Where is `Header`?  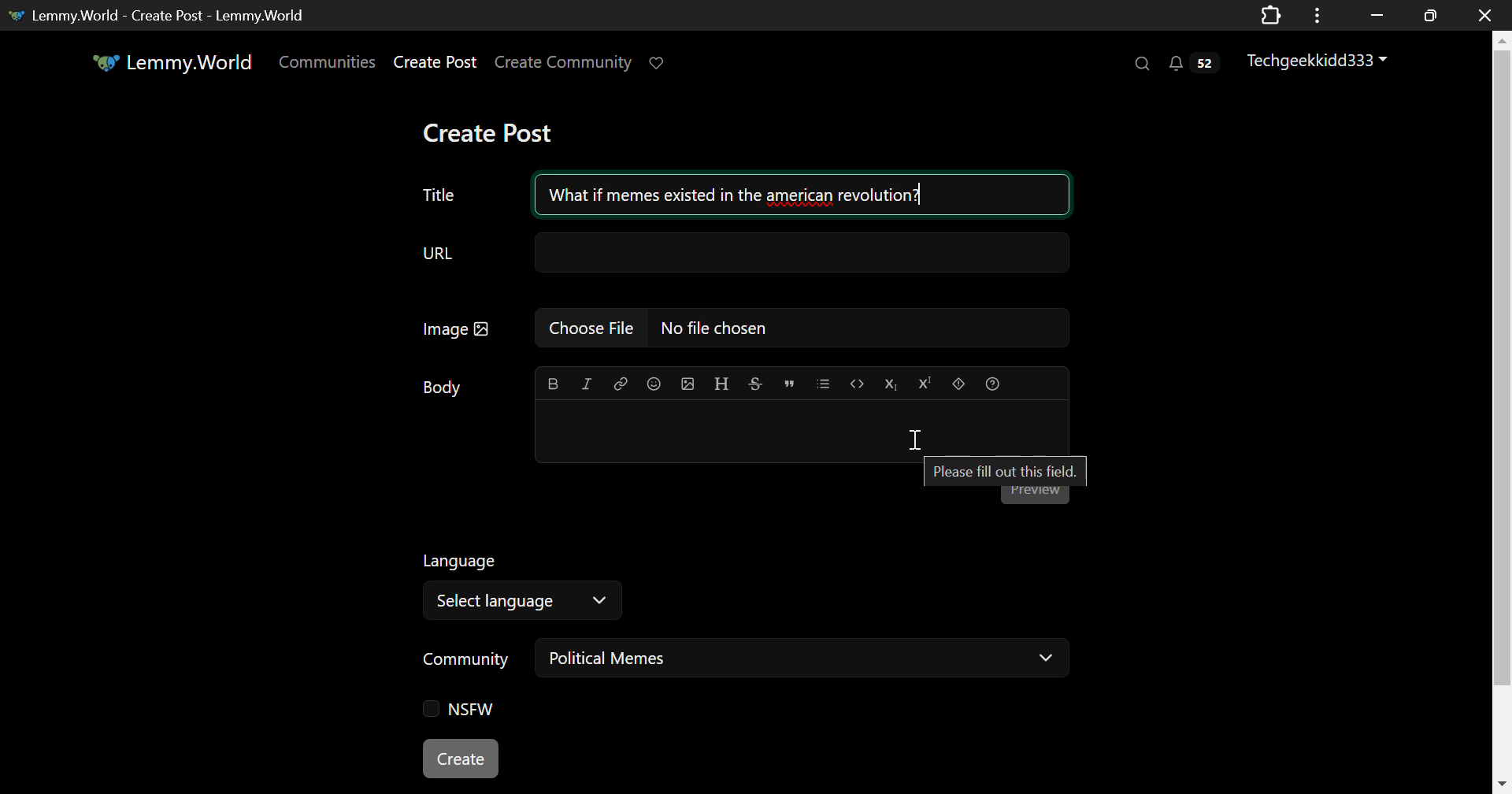 Header is located at coordinates (722, 384).